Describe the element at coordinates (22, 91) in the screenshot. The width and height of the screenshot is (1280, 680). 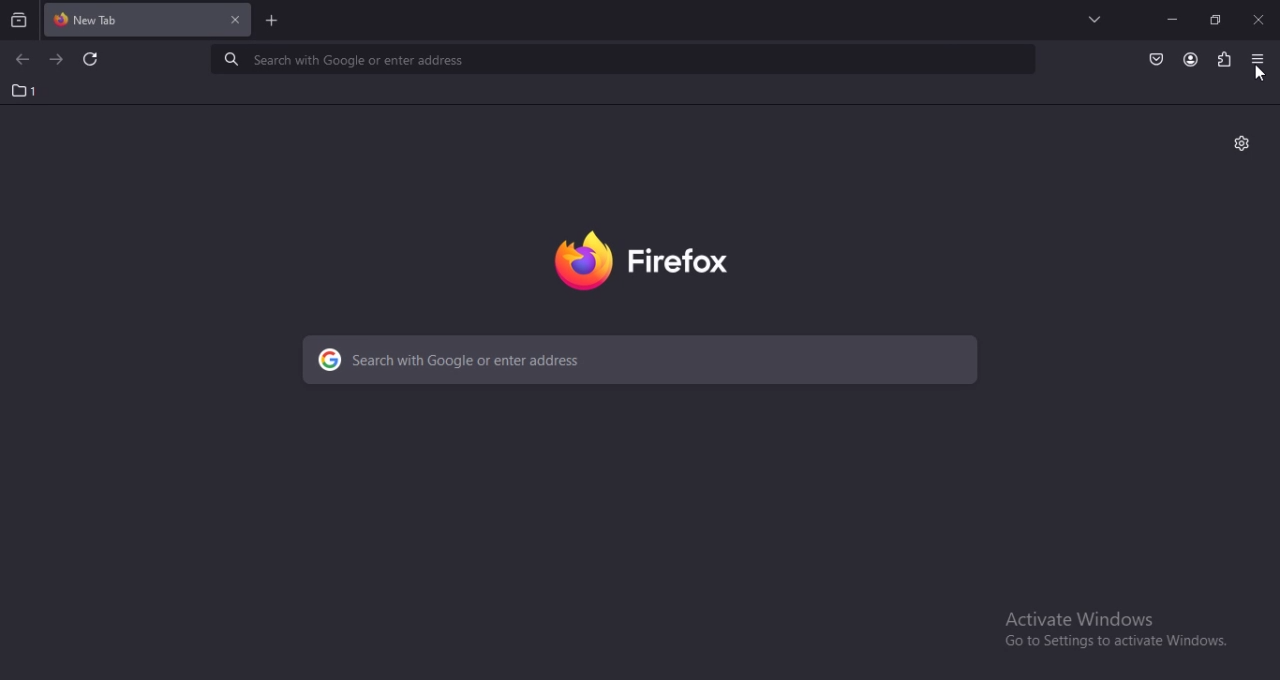
I see `1` at that location.